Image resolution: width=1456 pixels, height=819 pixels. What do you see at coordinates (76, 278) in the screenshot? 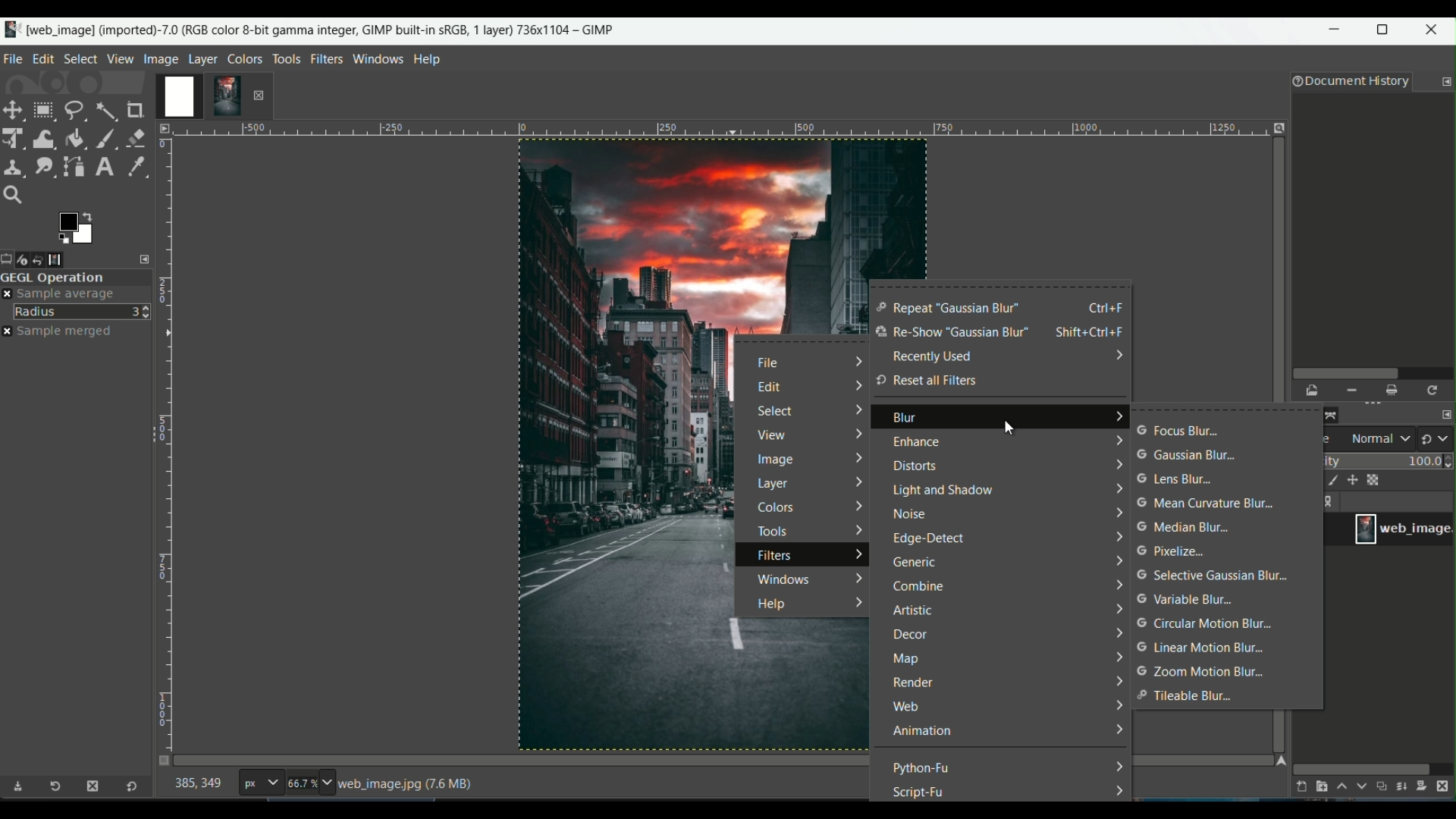
I see `gegl operation` at bounding box center [76, 278].